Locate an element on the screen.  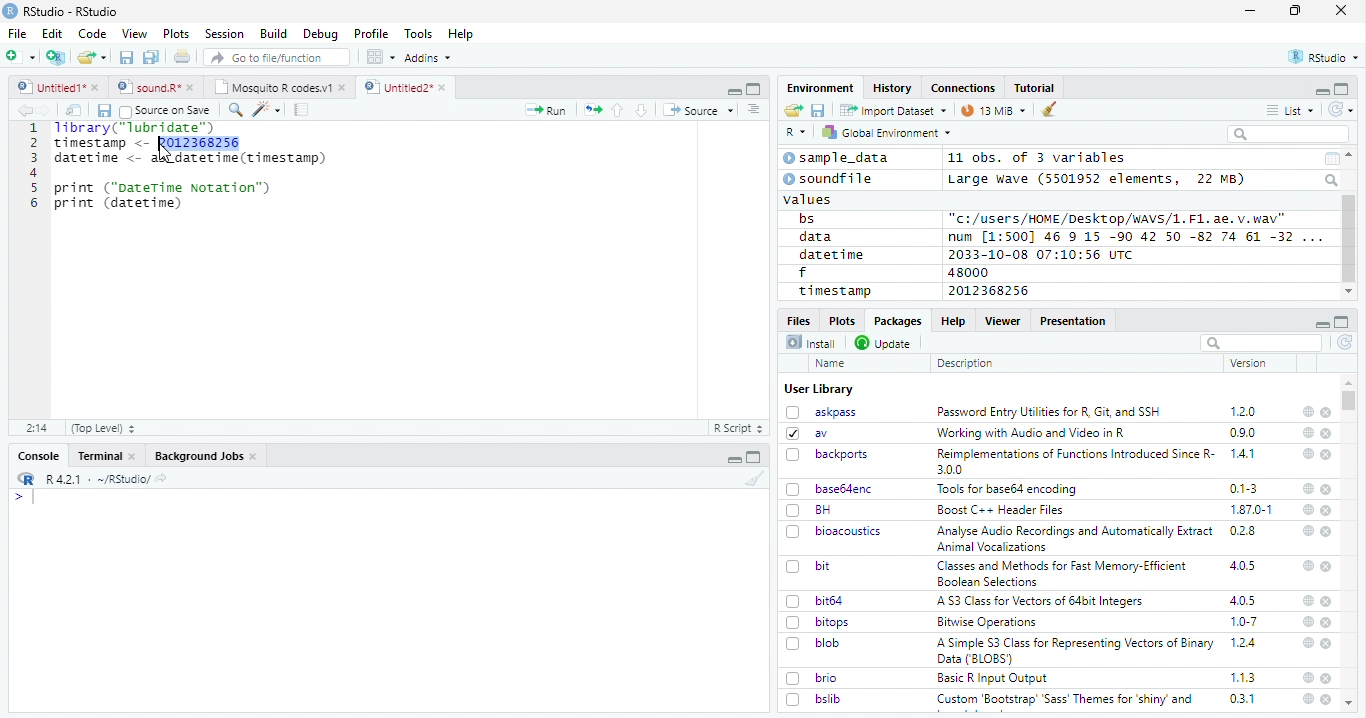
Name is located at coordinates (832, 364).